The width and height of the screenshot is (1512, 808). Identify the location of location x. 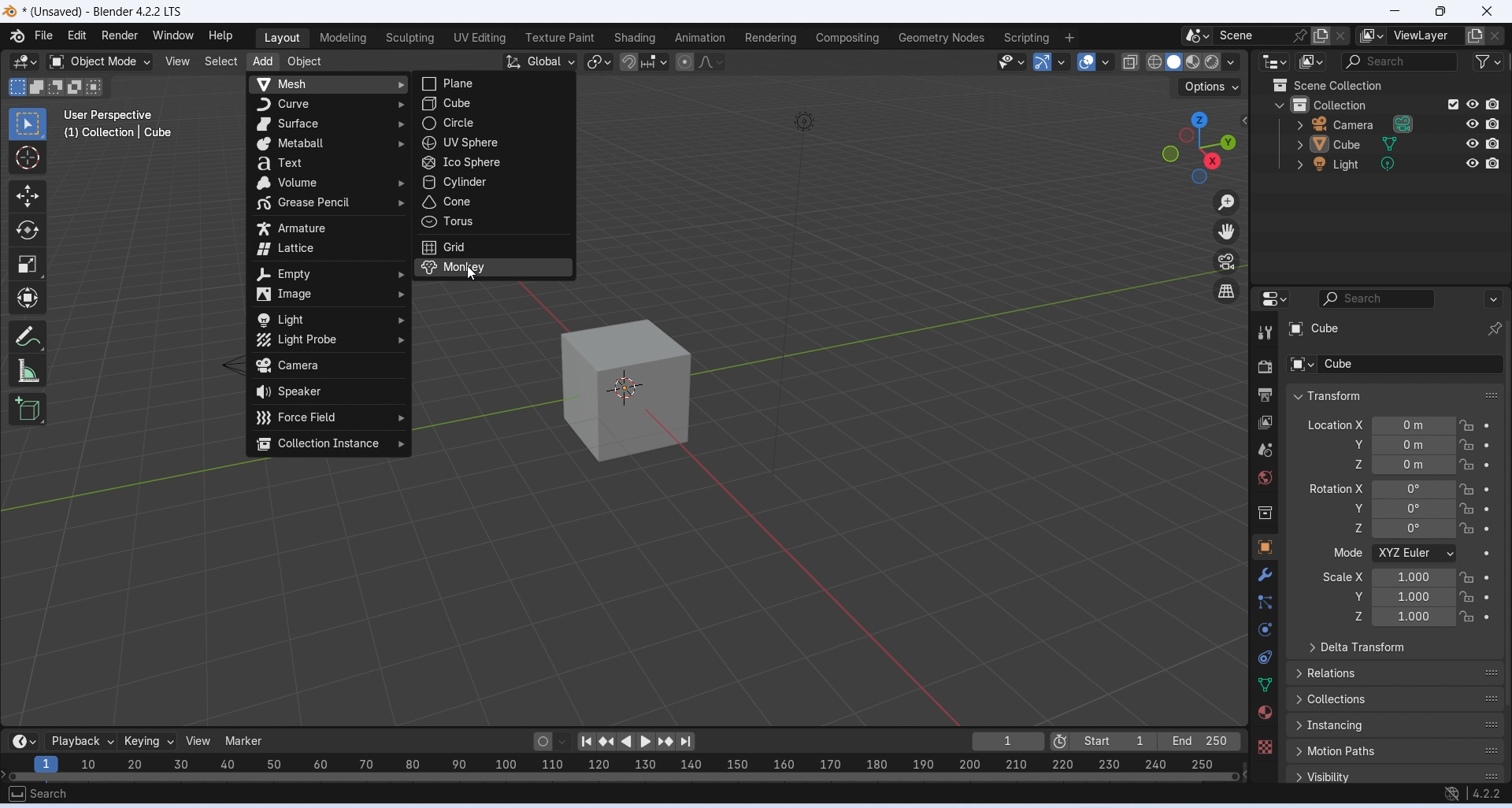
(1333, 424).